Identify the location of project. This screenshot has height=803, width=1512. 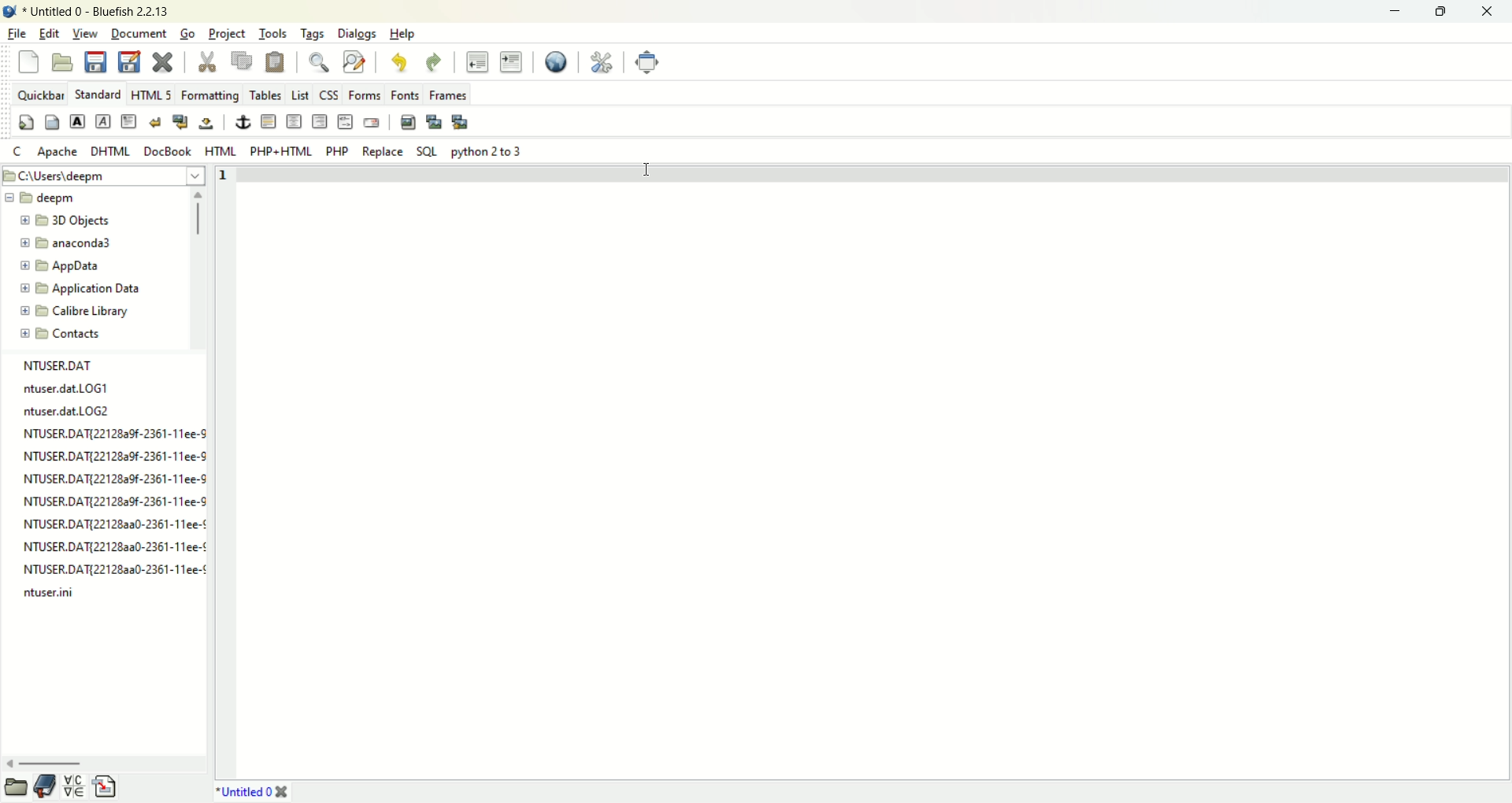
(227, 34).